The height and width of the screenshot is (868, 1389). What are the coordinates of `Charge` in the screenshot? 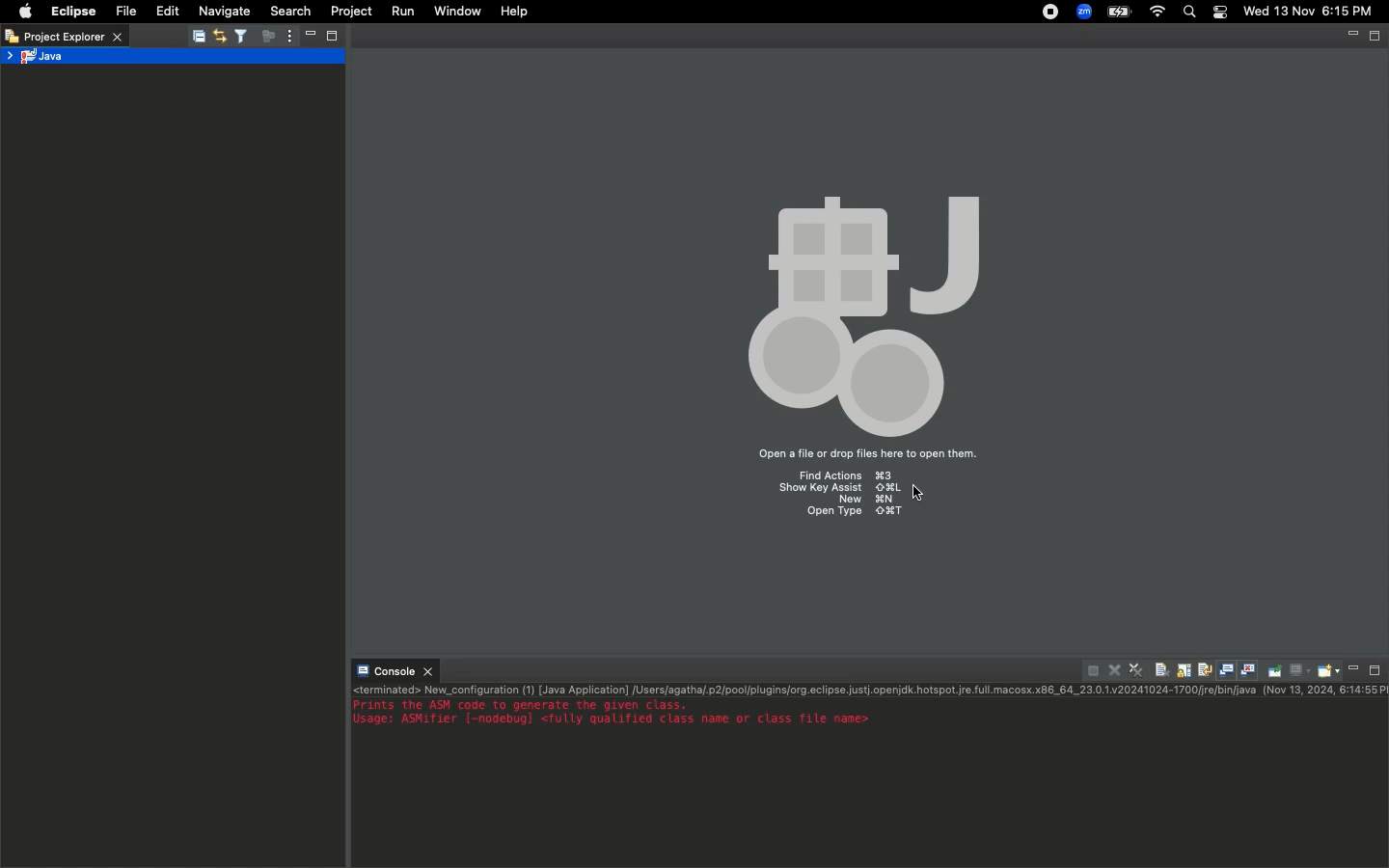 It's located at (1119, 14).